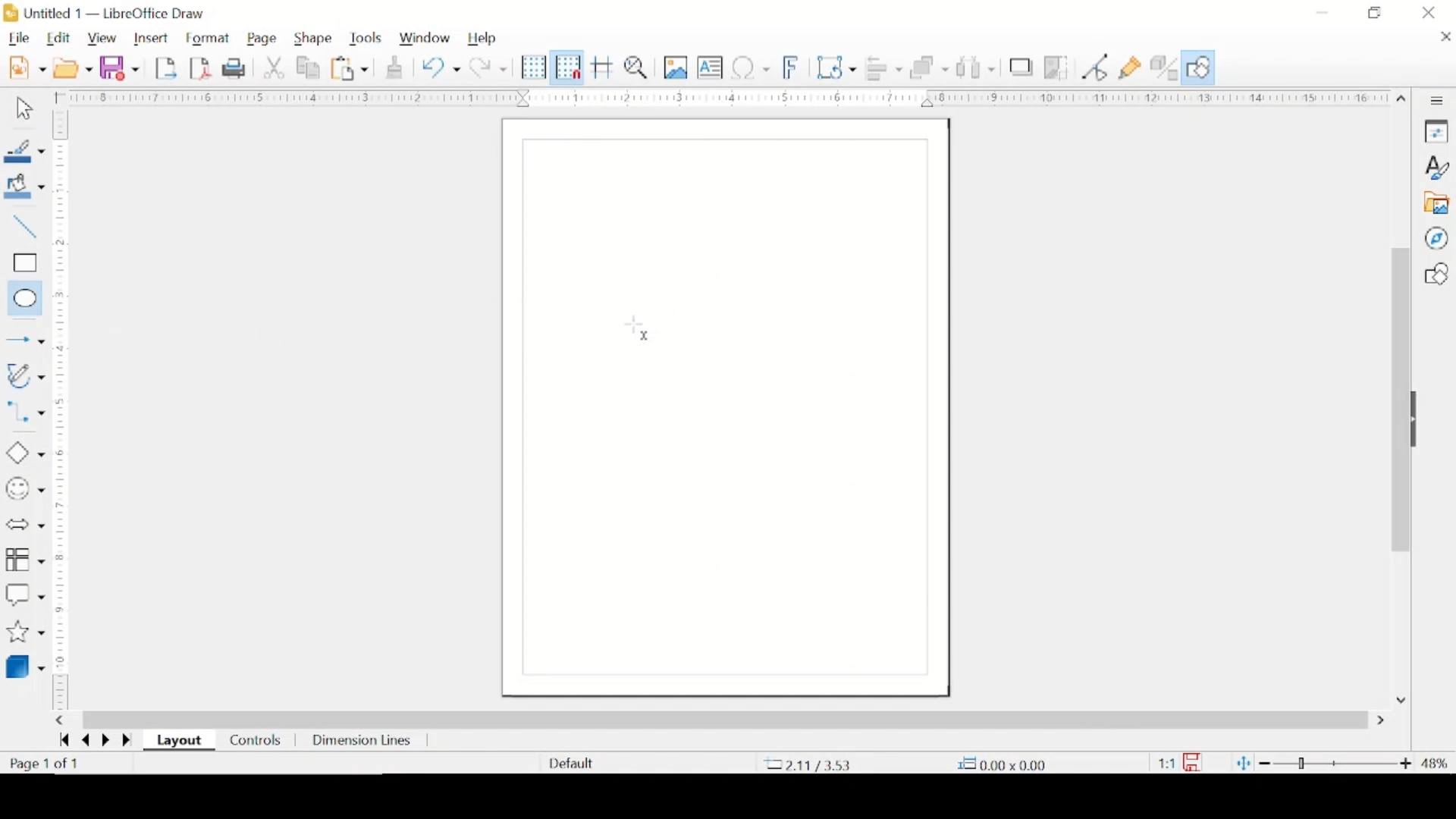 This screenshot has height=819, width=1456. What do you see at coordinates (102, 39) in the screenshot?
I see `view` at bounding box center [102, 39].